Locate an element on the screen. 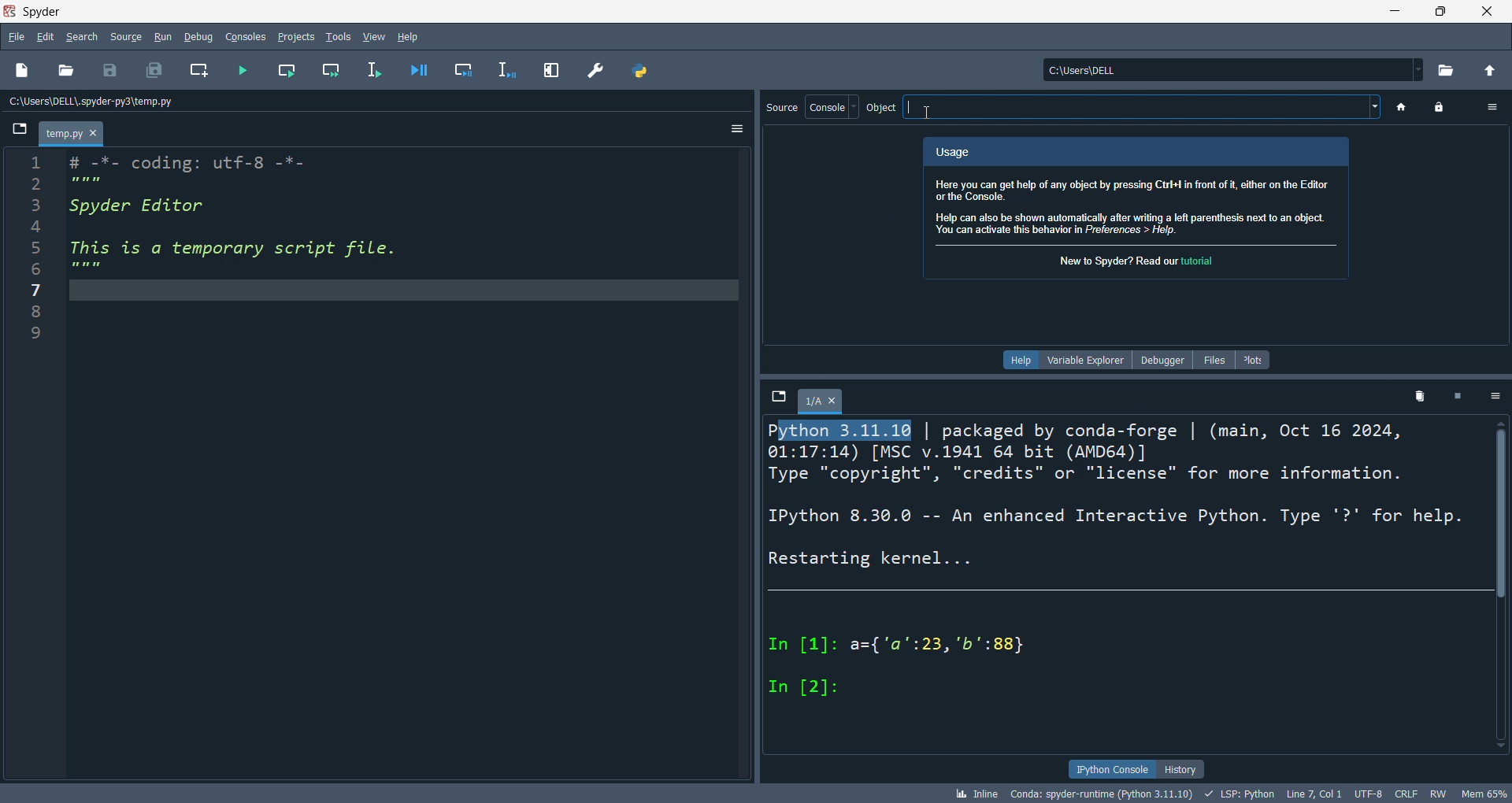 This screenshot has width=1512, height=803. file is located at coordinates (14, 36).